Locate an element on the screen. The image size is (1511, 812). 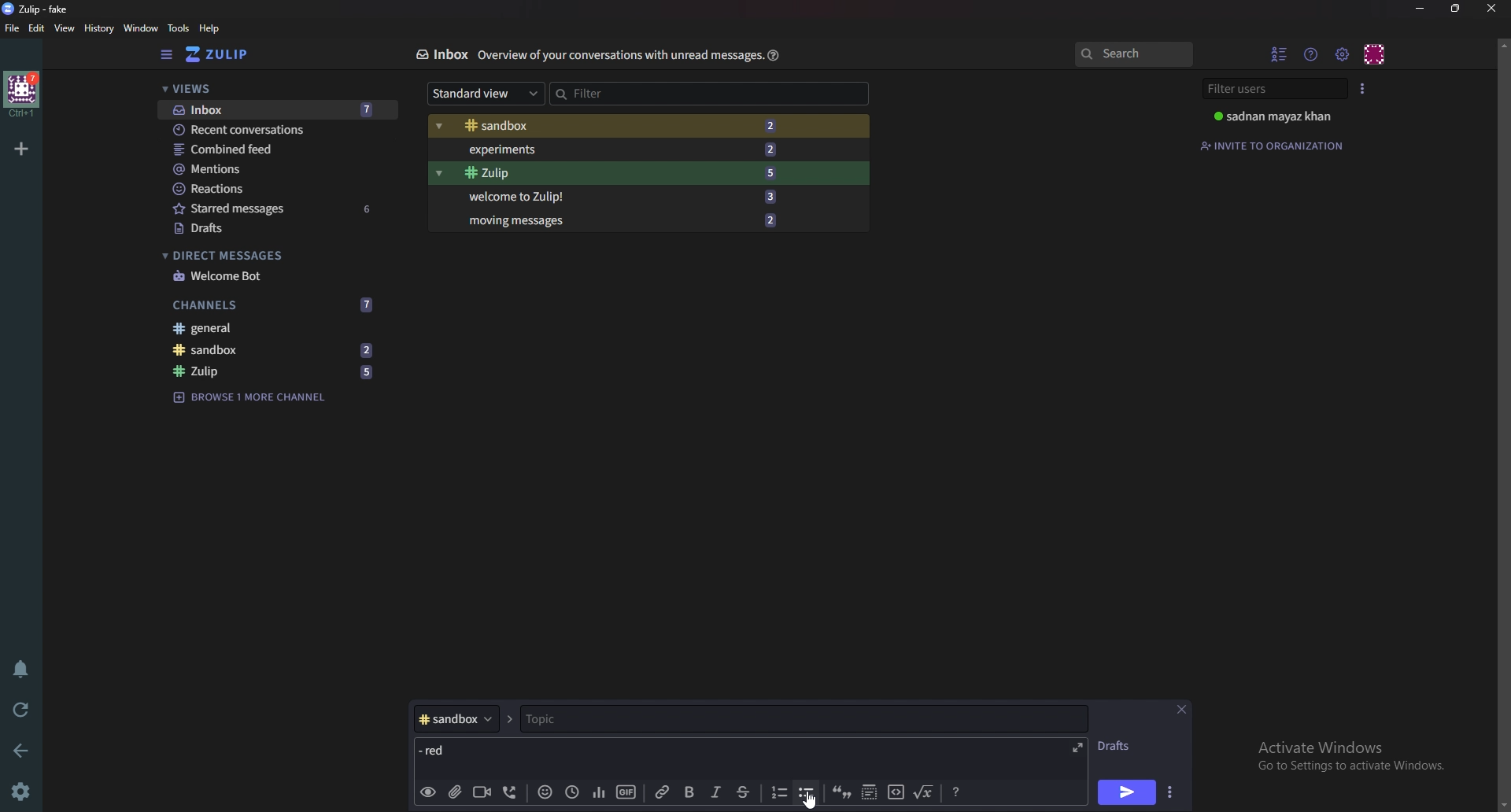
Strike through is located at coordinates (743, 792).